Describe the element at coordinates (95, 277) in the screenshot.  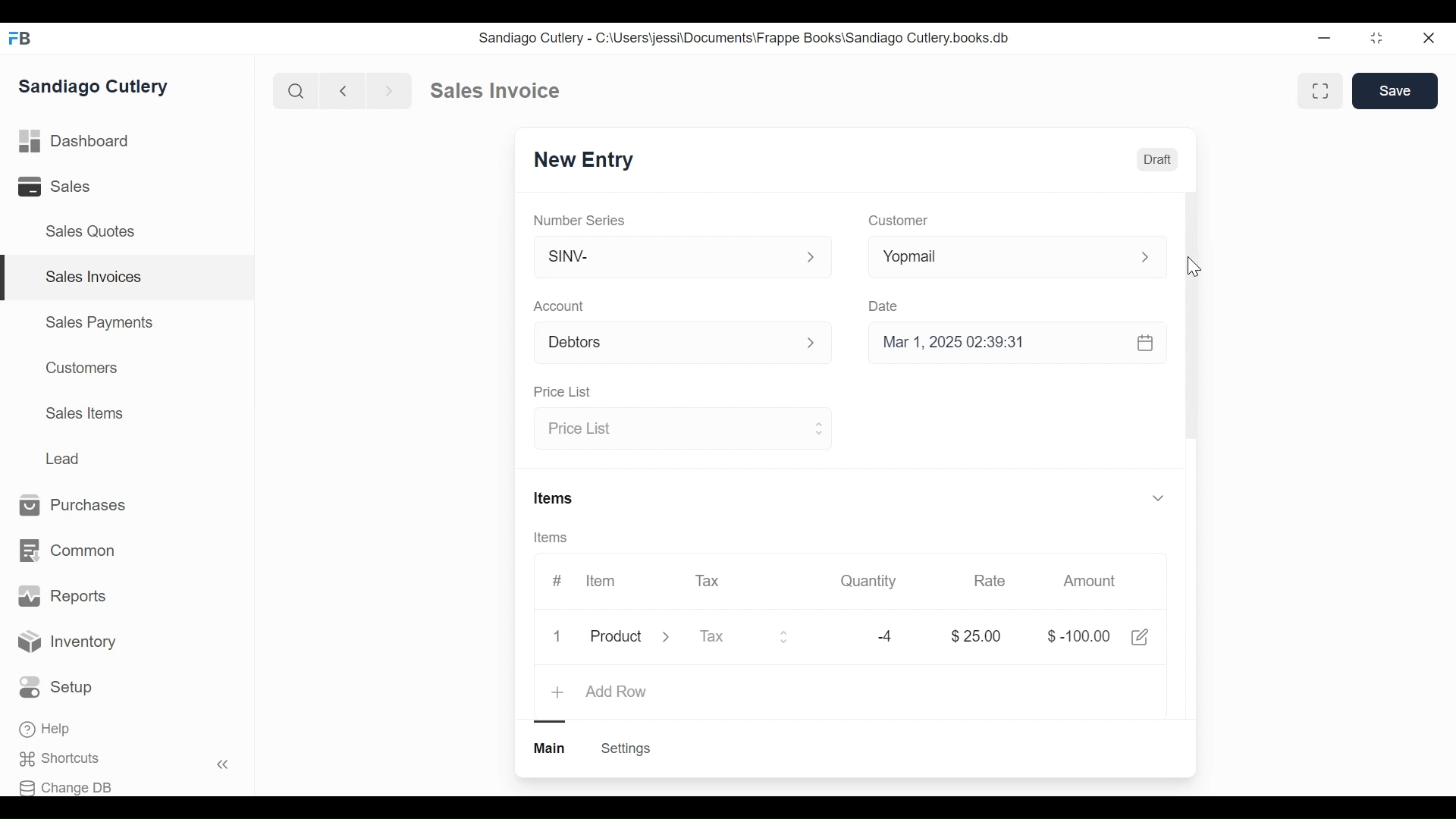
I see `Sales Invoices` at that location.